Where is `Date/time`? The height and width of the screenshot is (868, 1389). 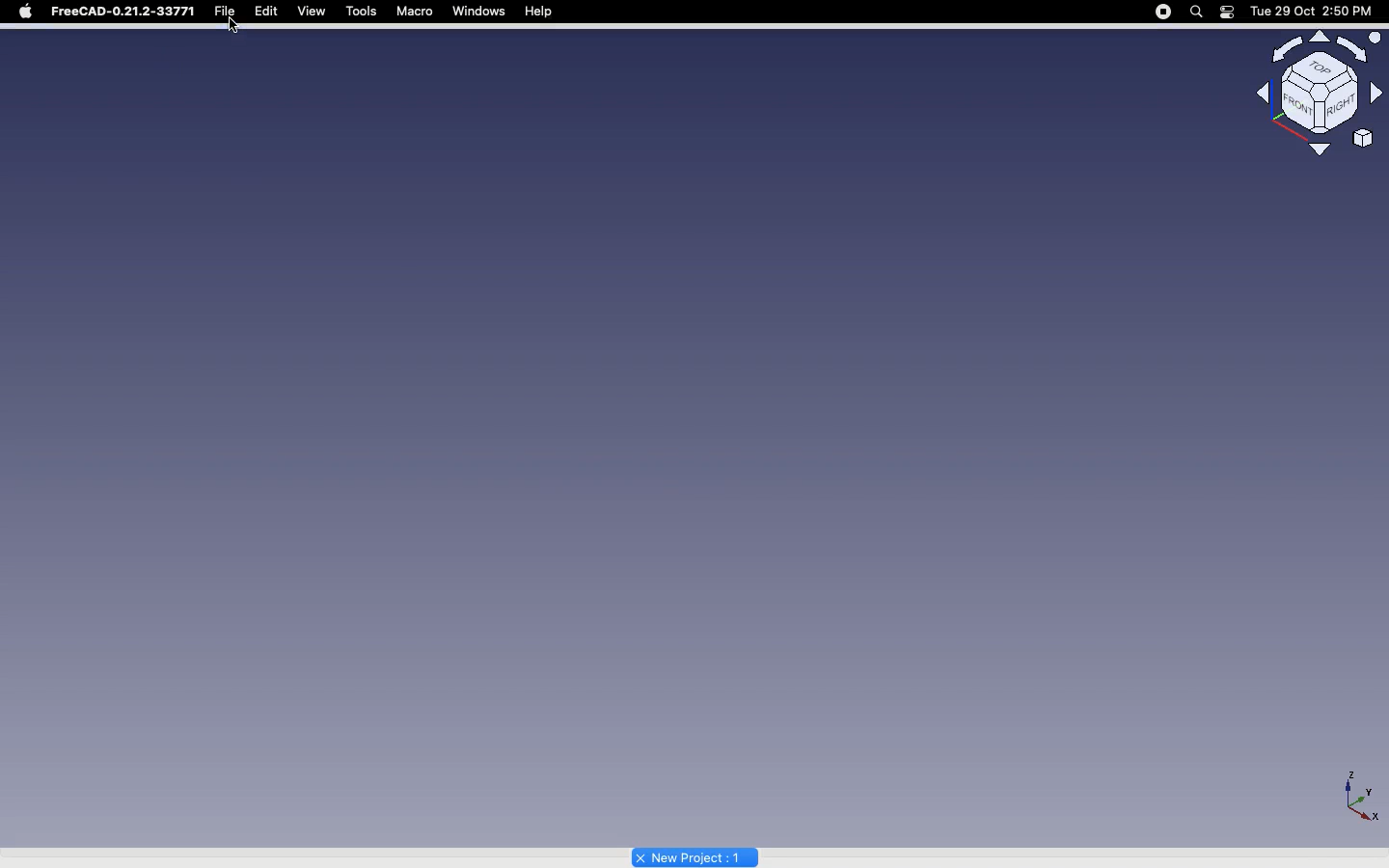
Date/time is located at coordinates (1315, 11).